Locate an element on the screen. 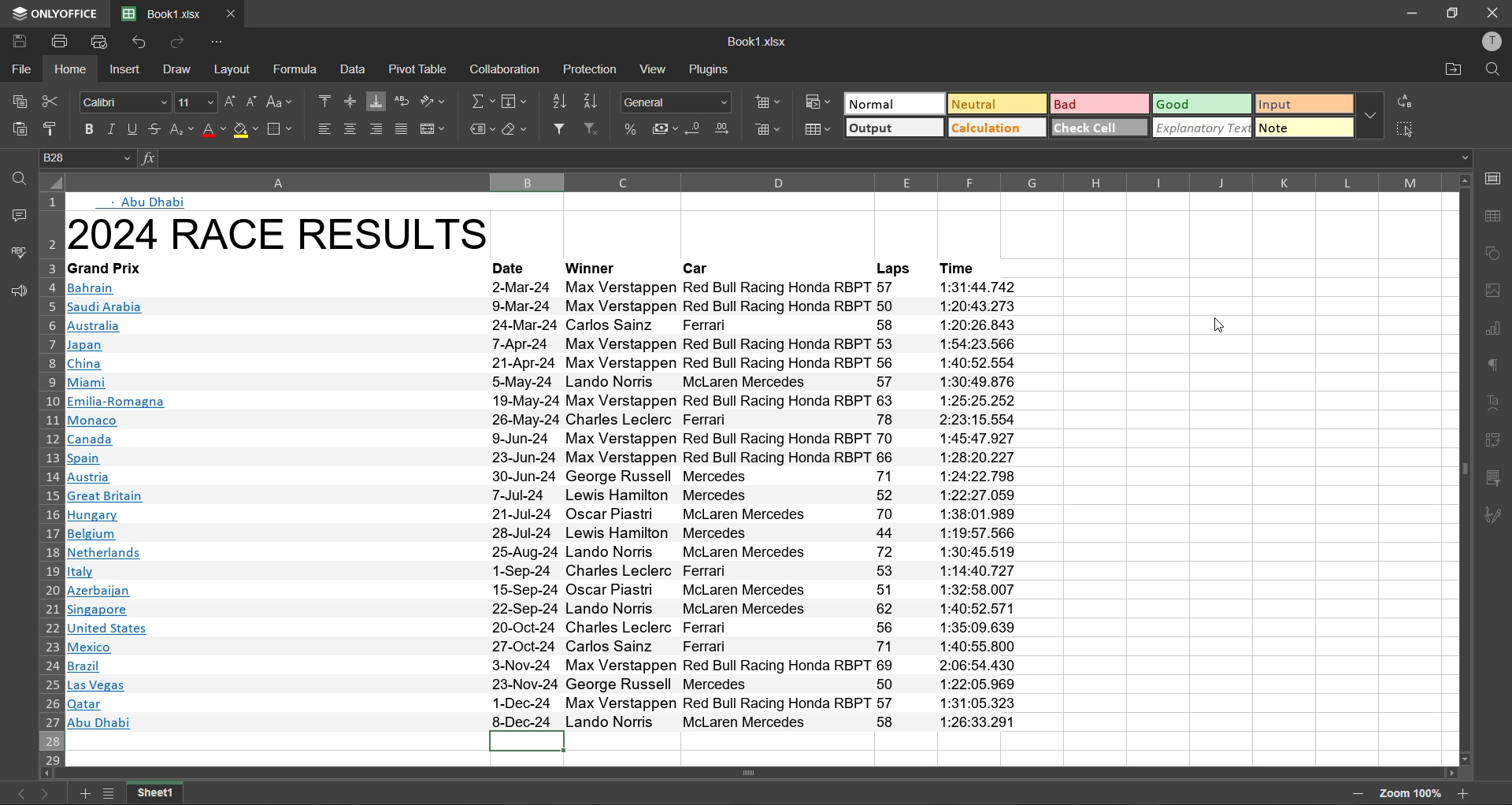 This screenshot has height=805, width=1512. Great Britain 7-Jul-24 Lewis Hamilton Mercedes 52 1:22:27.059 is located at coordinates (550, 495).